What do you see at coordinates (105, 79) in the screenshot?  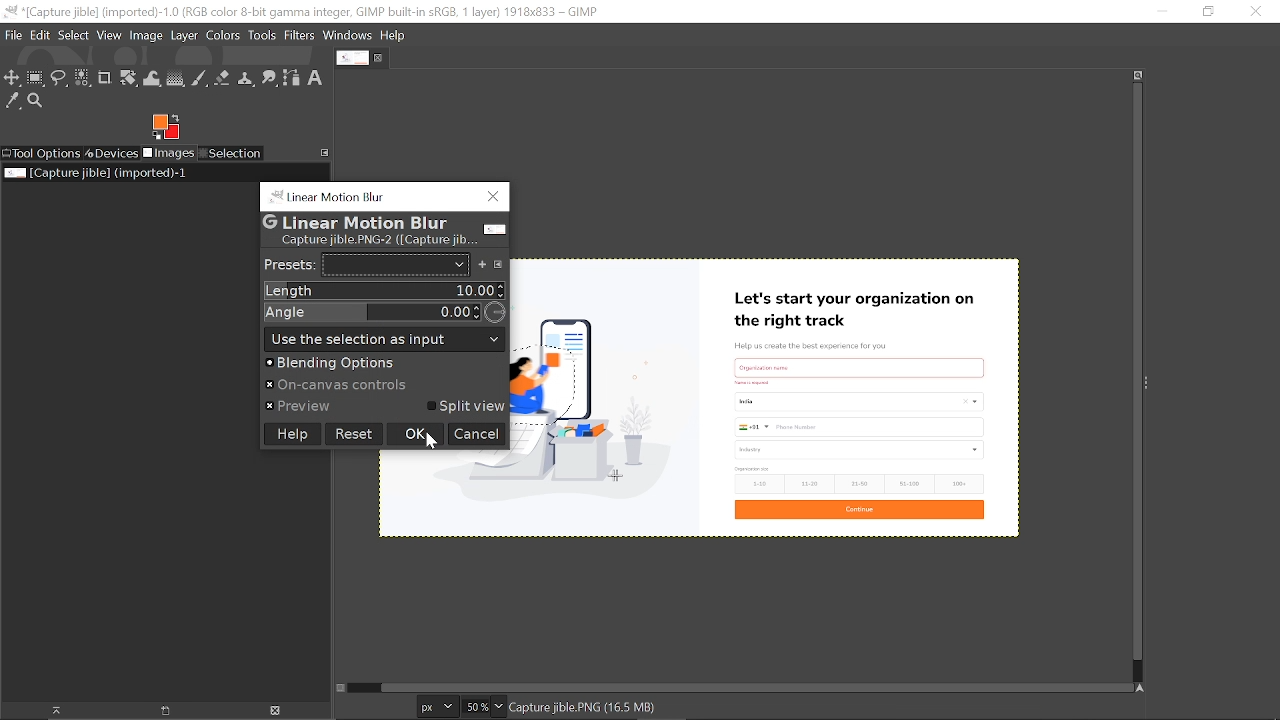 I see `Crop text tool` at bounding box center [105, 79].